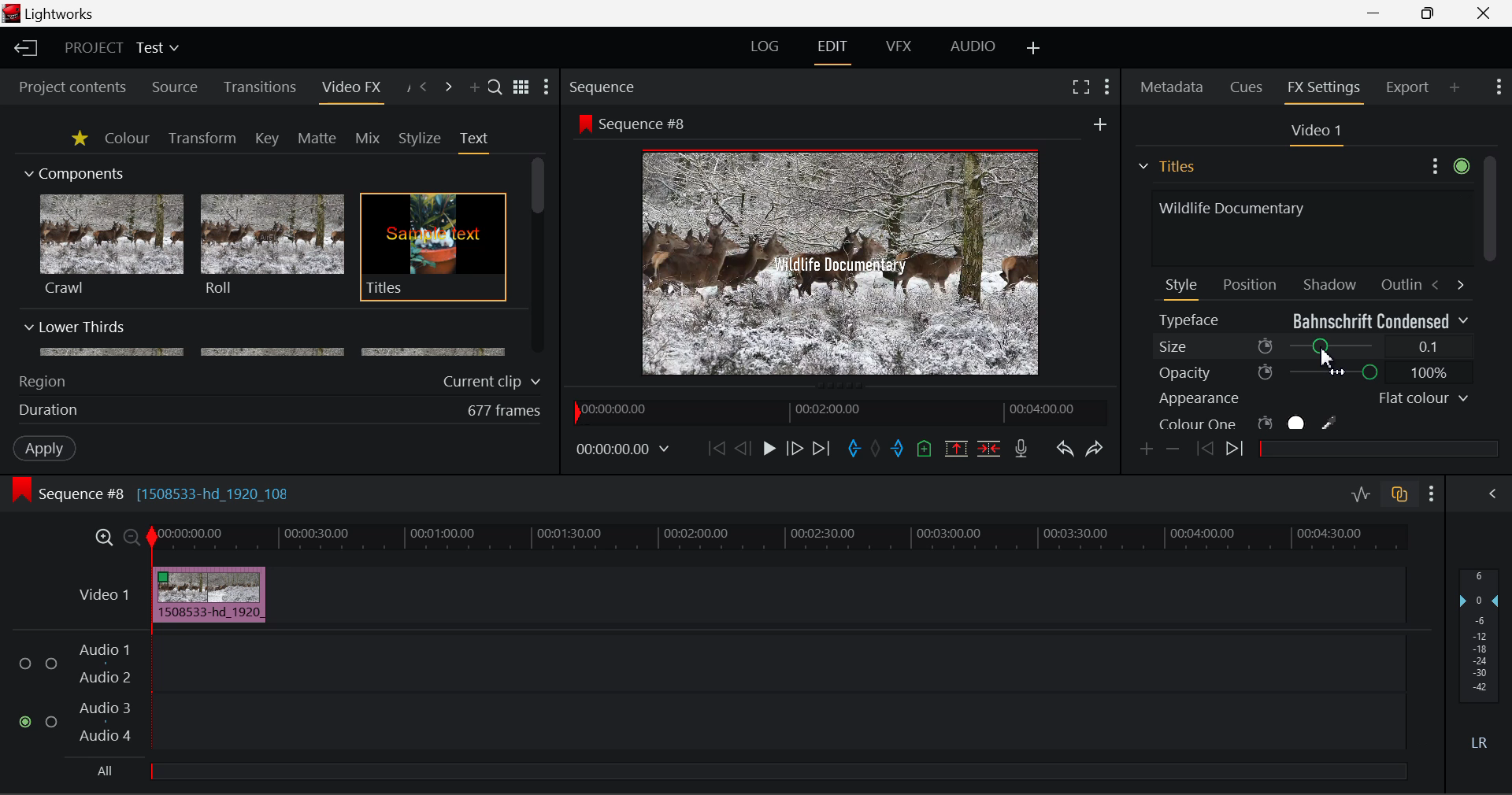 The height and width of the screenshot is (795, 1512). Describe the element at coordinates (1096, 449) in the screenshot. I see `Redo` at that location.